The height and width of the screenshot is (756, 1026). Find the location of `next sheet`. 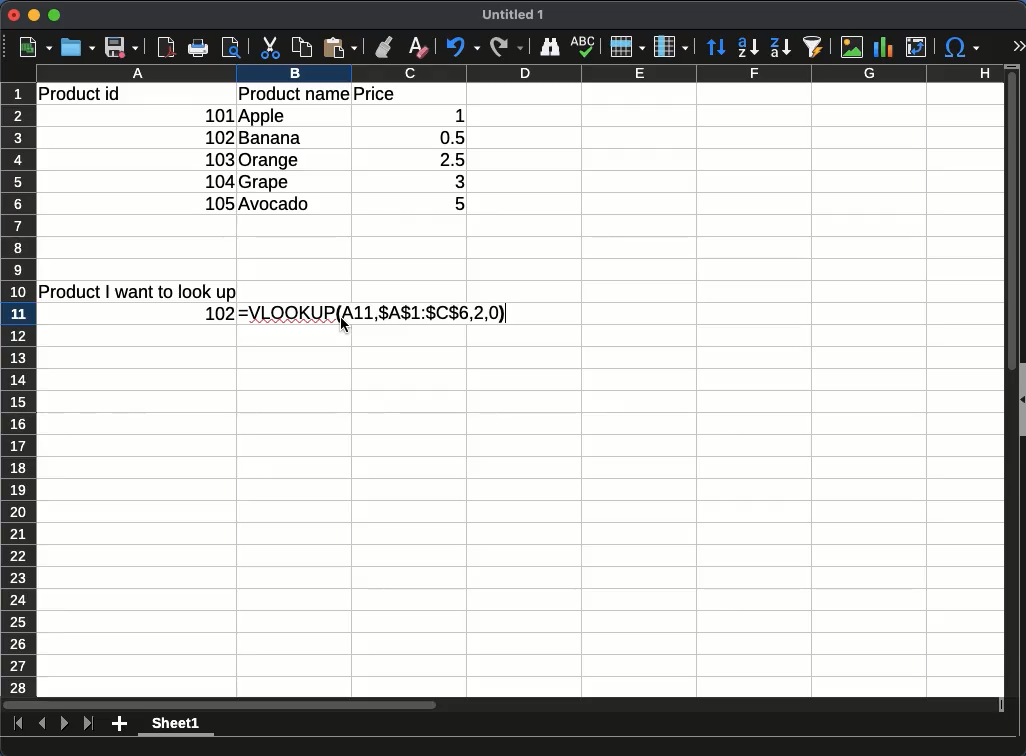

next sheet is located at coordinates (64, 724).